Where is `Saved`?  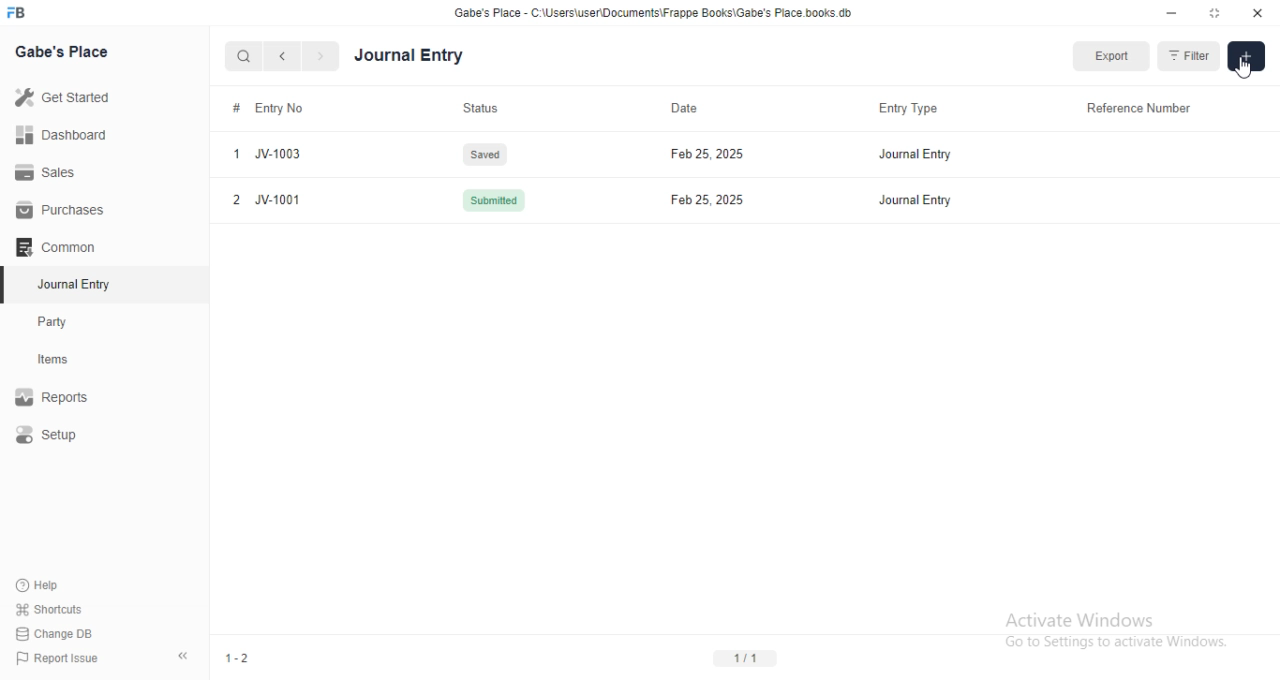 Saved is located at coordinates (486, 153).